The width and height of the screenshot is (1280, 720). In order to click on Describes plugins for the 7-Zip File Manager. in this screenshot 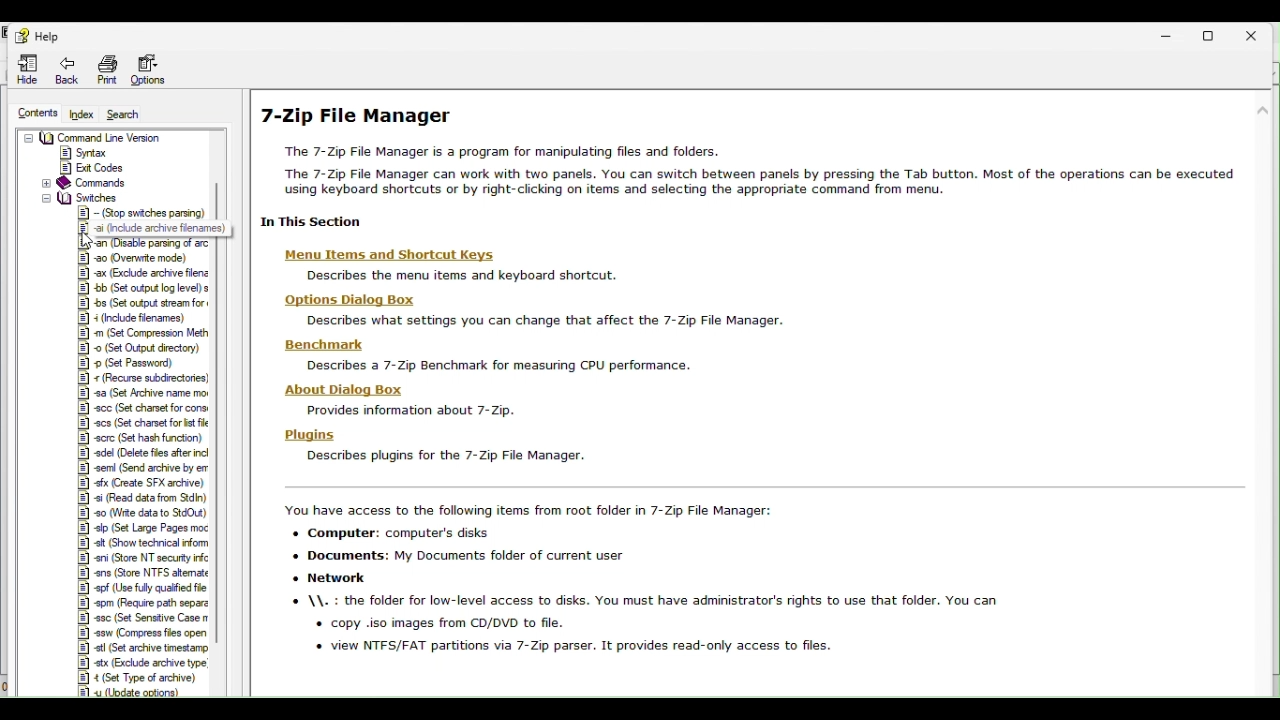, I will do `click(448, 456)`.